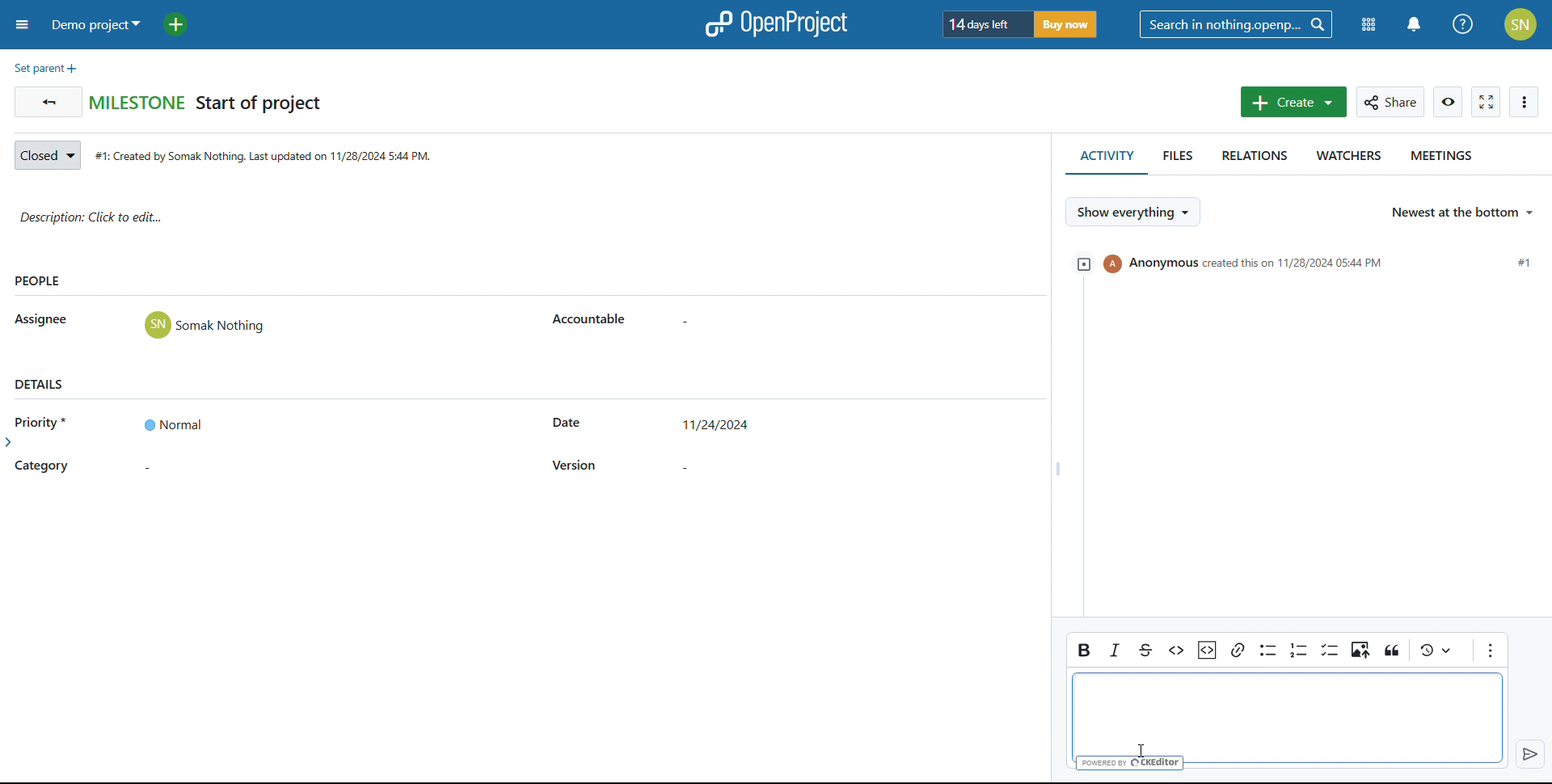  I want to click on description: click to add edit, so click(525, 220).